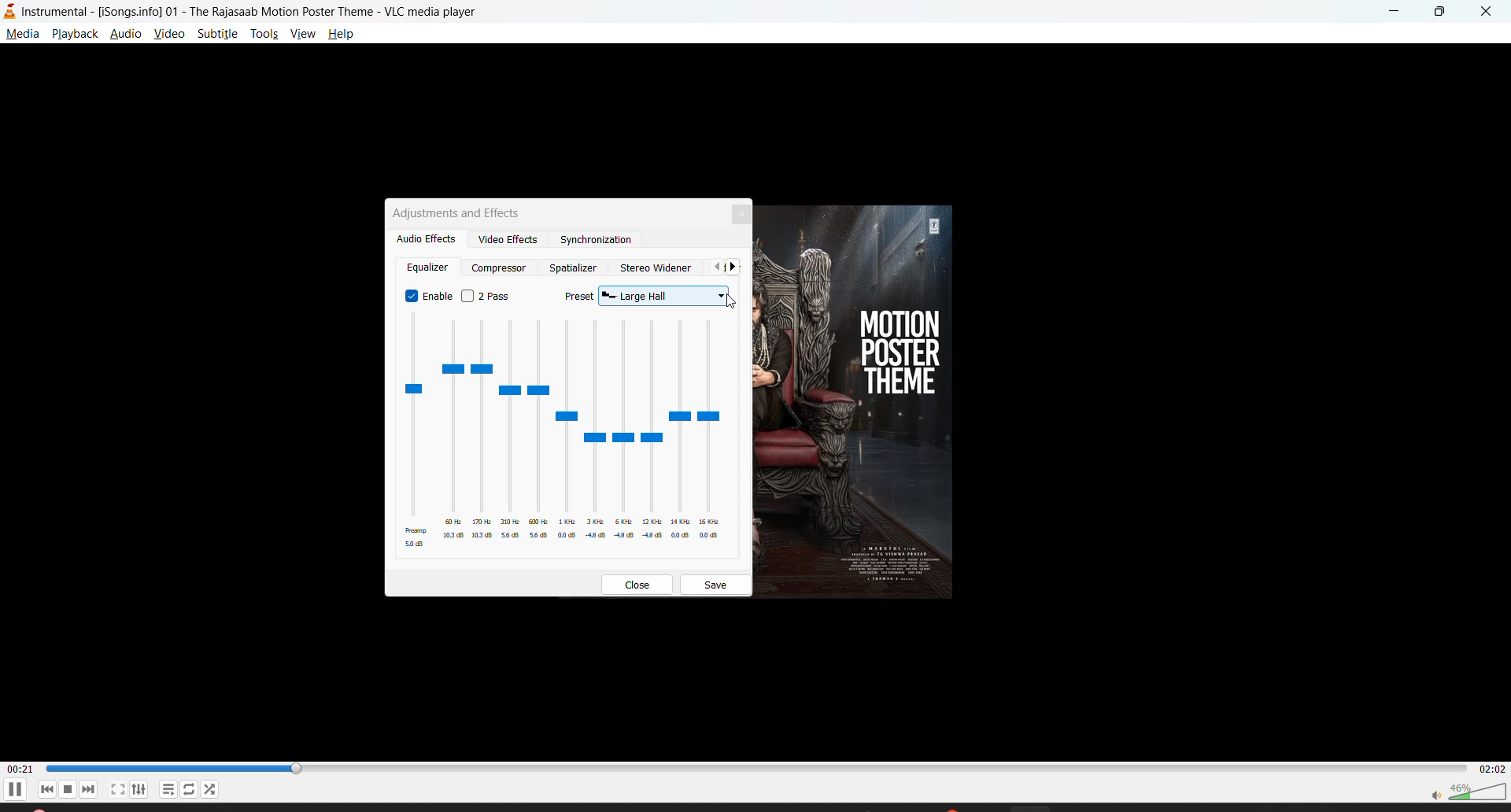 This screenshot has height=812, width=1511. Describe the element at coordinates (574, 446) in the screenshot. I see `equalizer presets enabled` at that location.